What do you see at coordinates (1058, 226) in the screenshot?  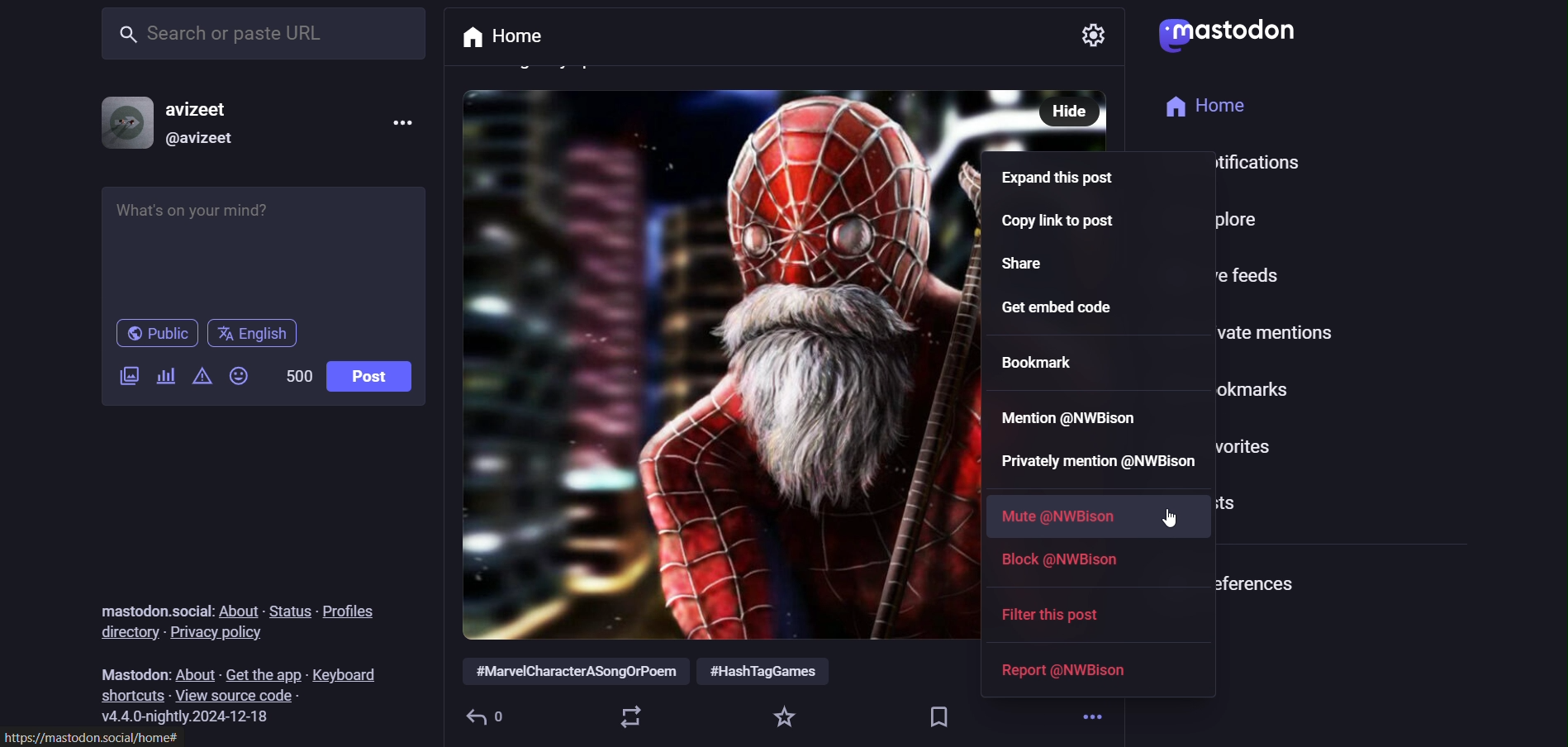 I see `copy link to post` at bounding box center [1058, 226].